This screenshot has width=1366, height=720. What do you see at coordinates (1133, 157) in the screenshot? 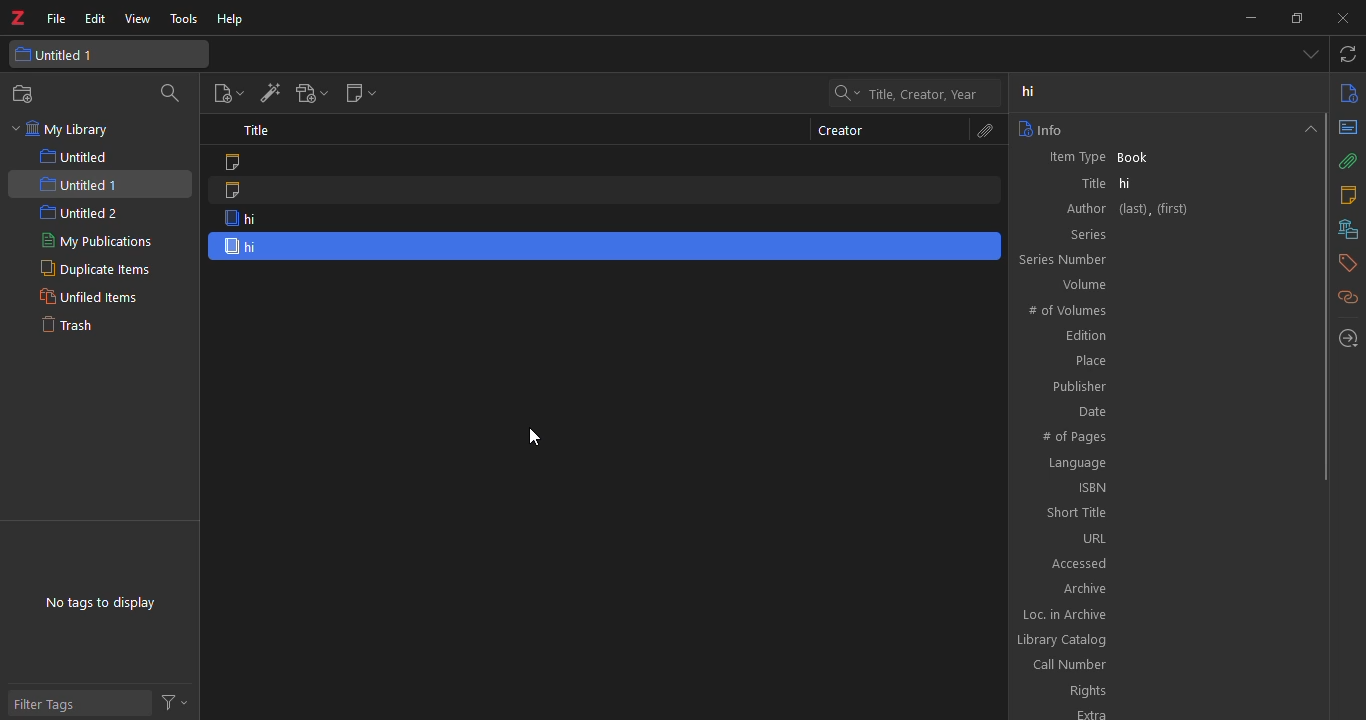
I see `book` at bounding box center [1133, 157].